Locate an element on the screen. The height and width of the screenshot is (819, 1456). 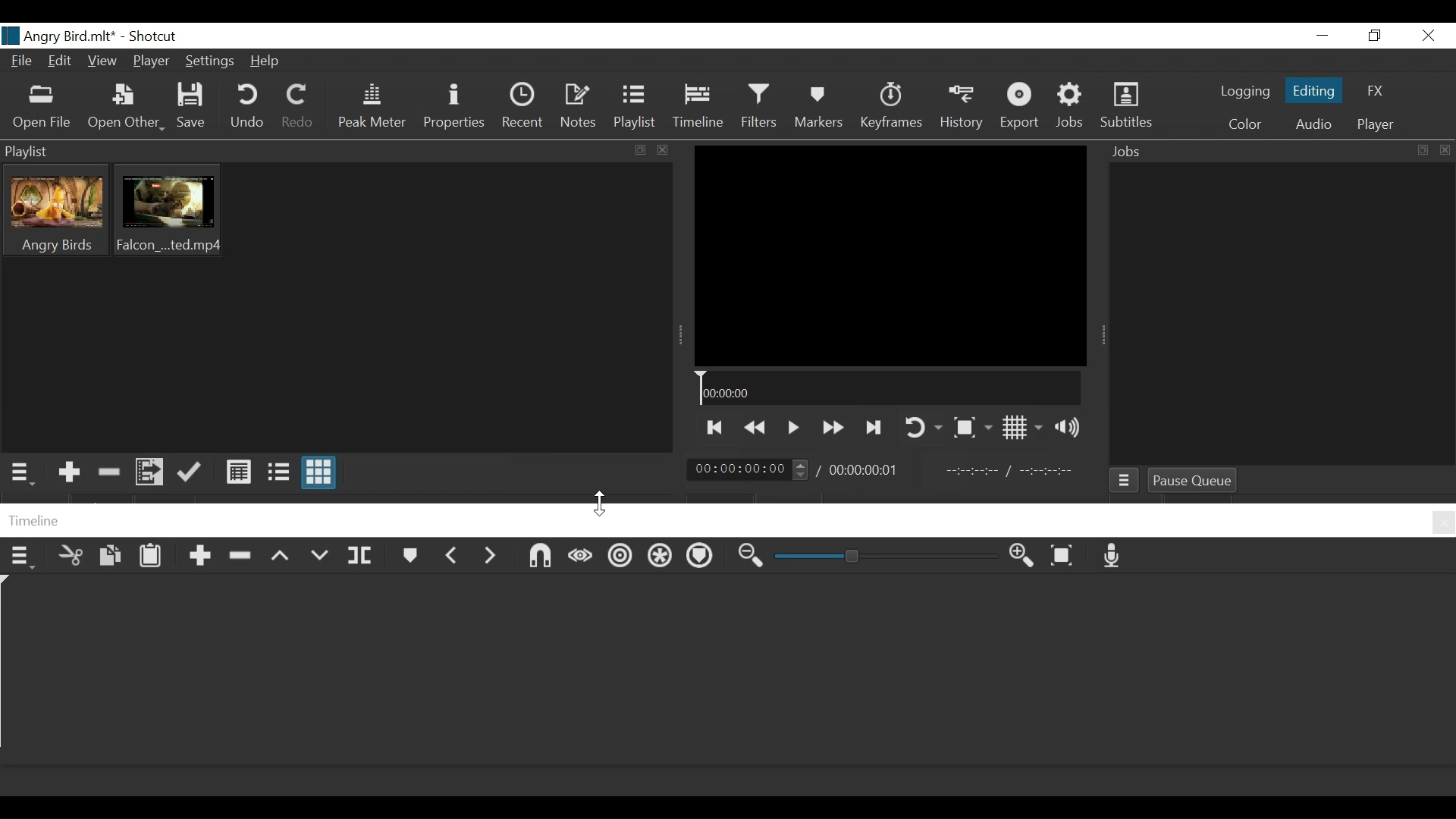
Zoom timeline out is located at coordinates (1020, 559).